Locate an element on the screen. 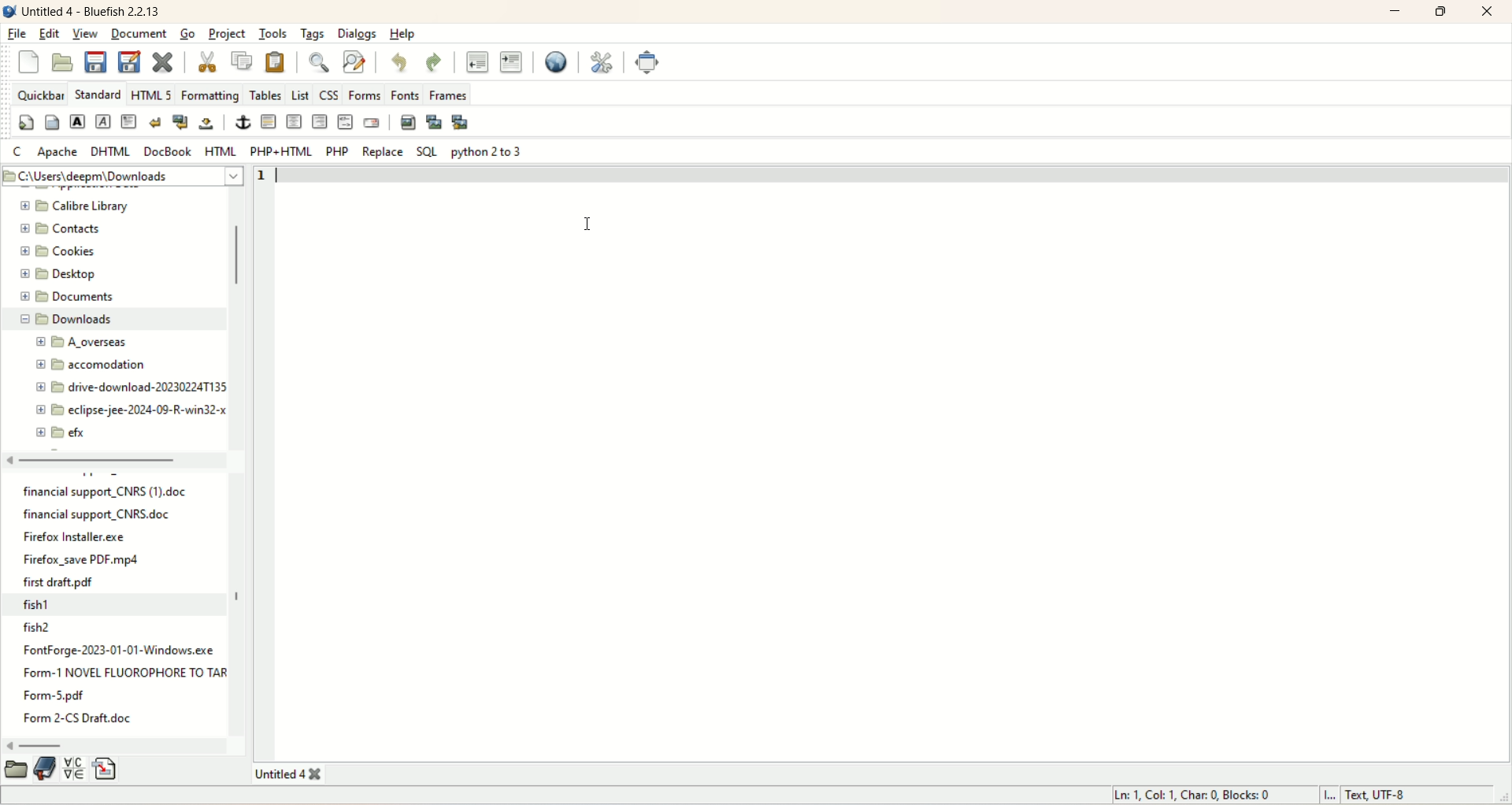  formatting is located at coordinates (211, 95).